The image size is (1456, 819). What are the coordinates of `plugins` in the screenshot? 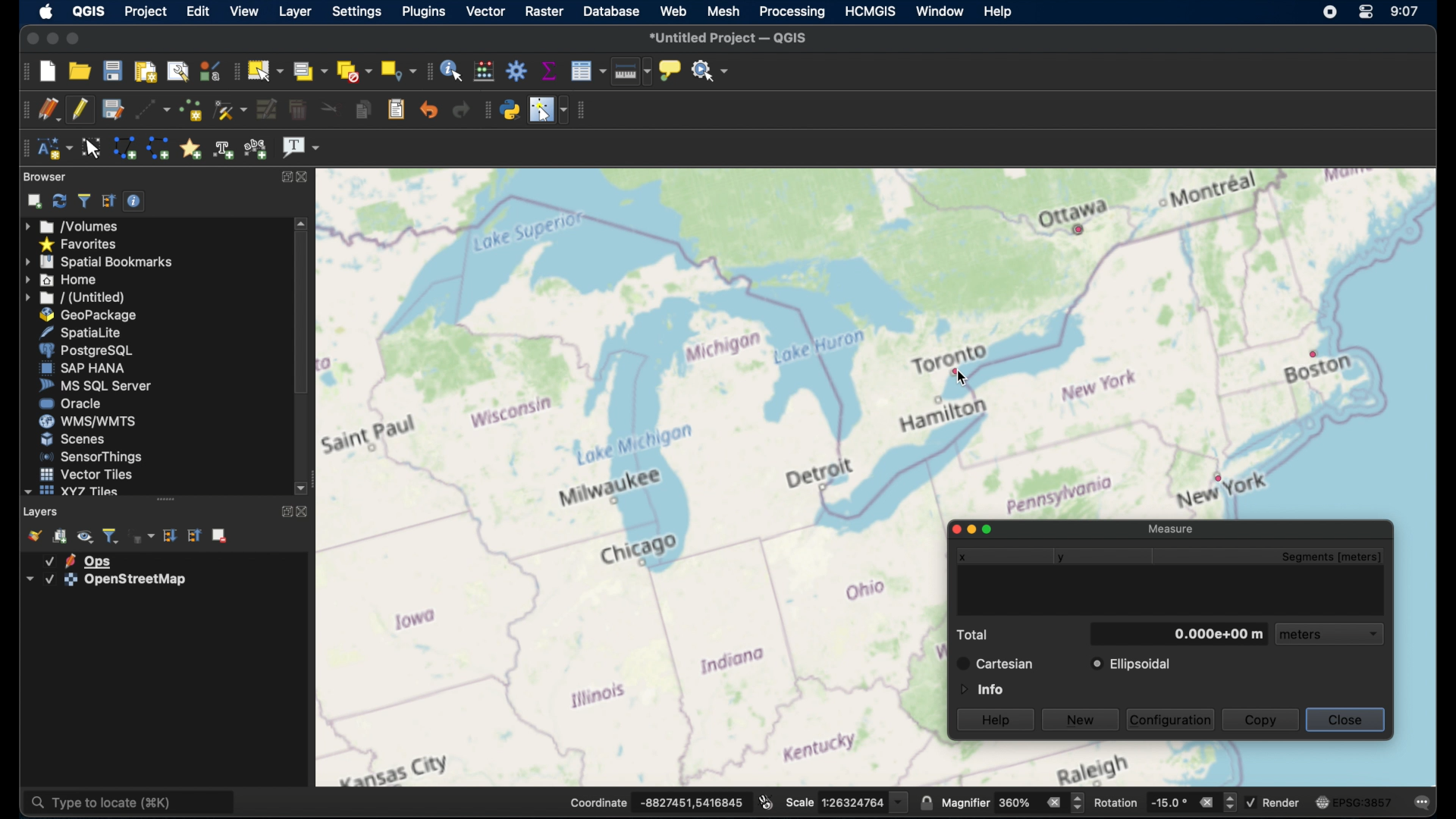 It's located at (422, 12).